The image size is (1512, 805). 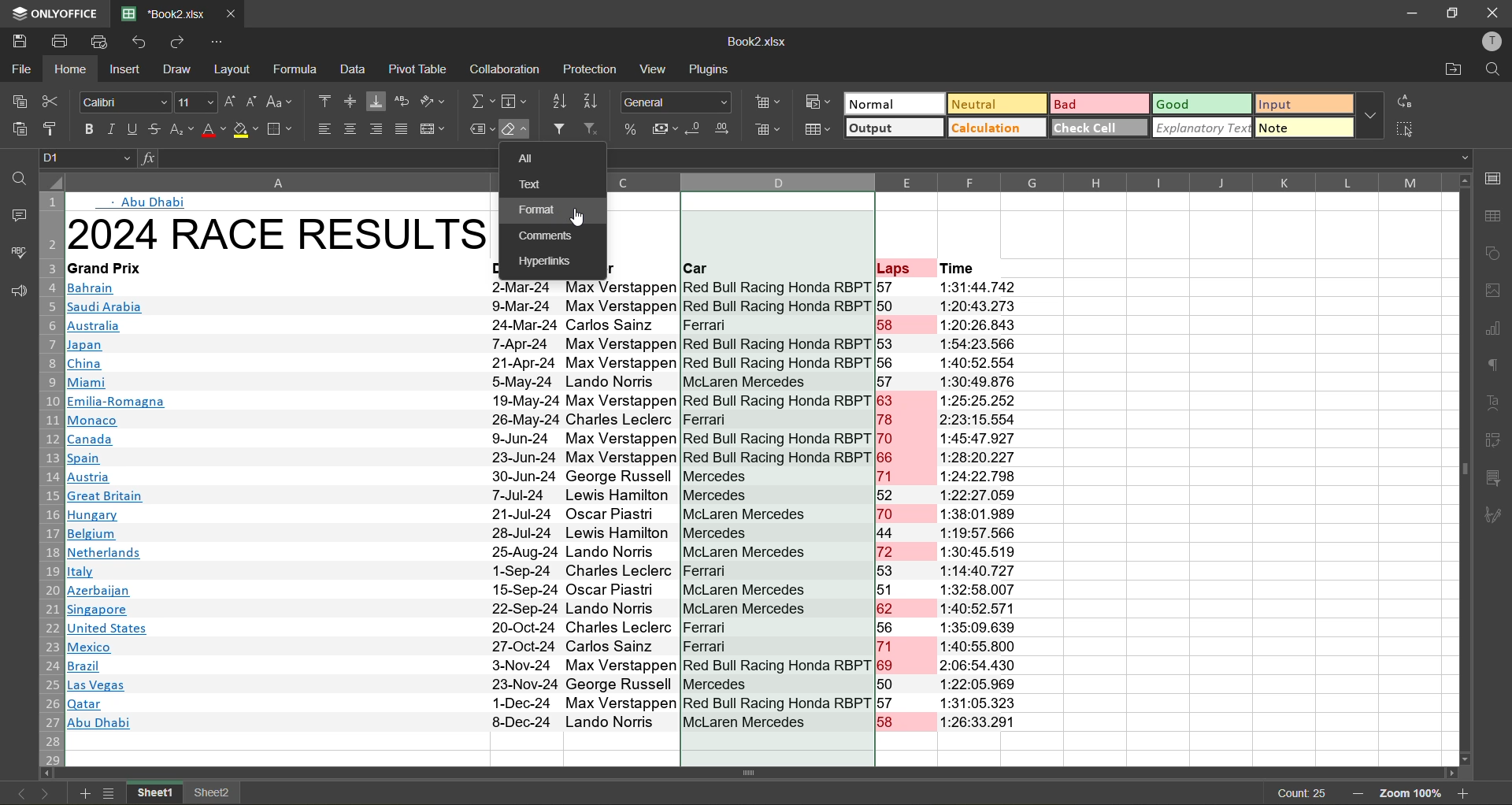 I want to click on charts, so click(x=1498, y=330).